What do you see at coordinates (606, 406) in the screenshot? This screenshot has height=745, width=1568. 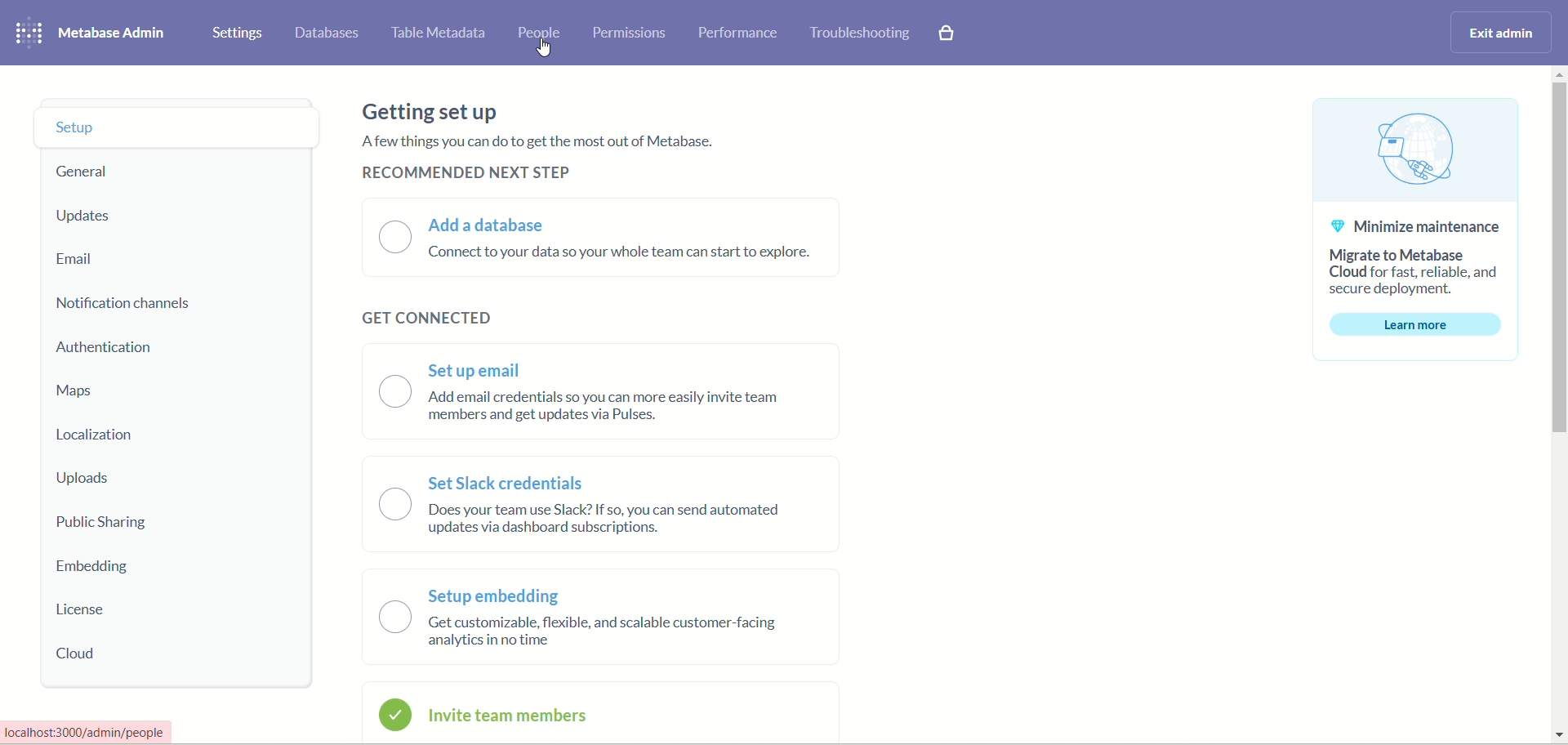 I see `text` at bounding box center [606, 406].